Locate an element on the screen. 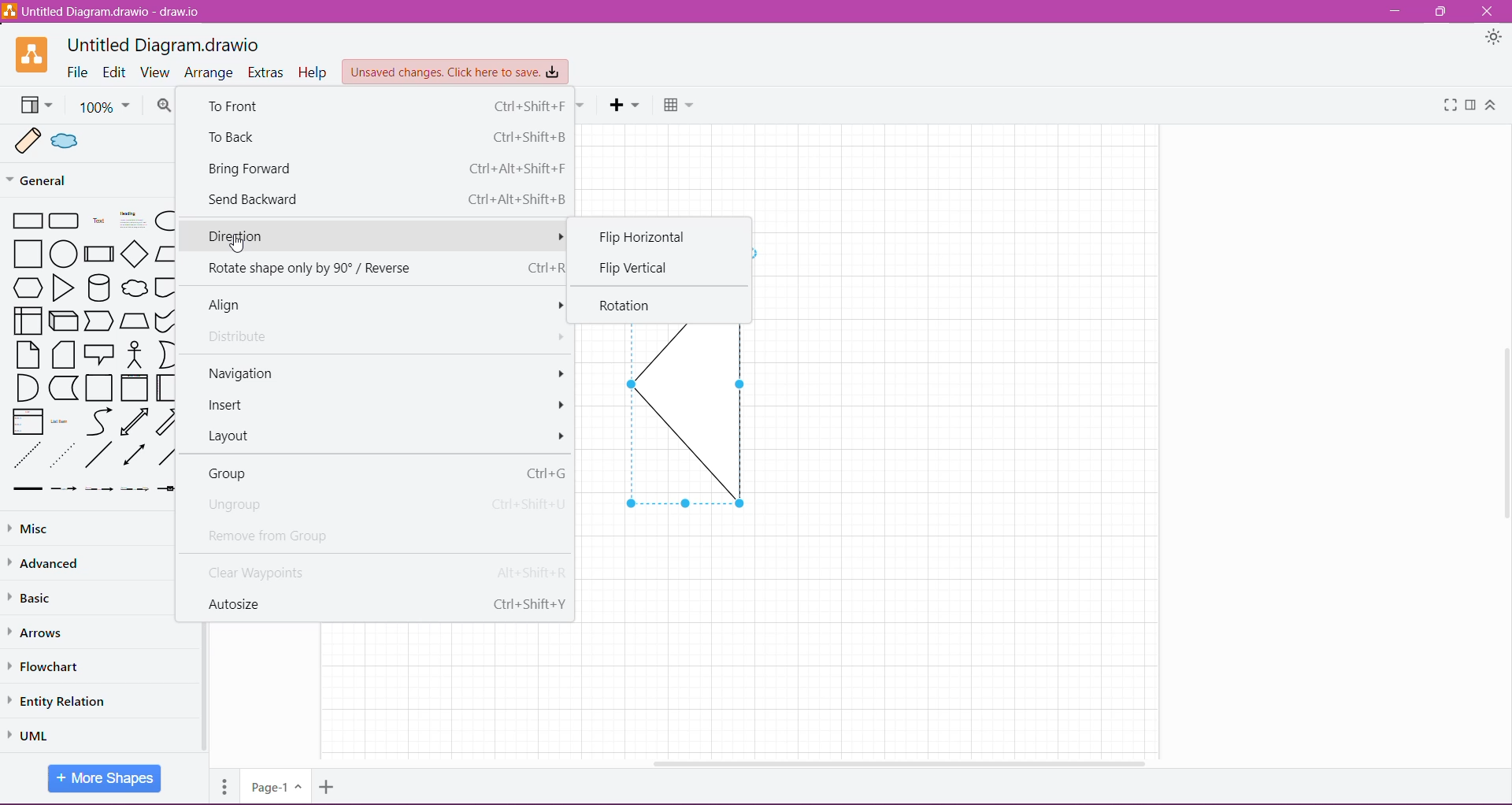 The image size is (1512, 805). Close is located at coordinates (1492, 10).